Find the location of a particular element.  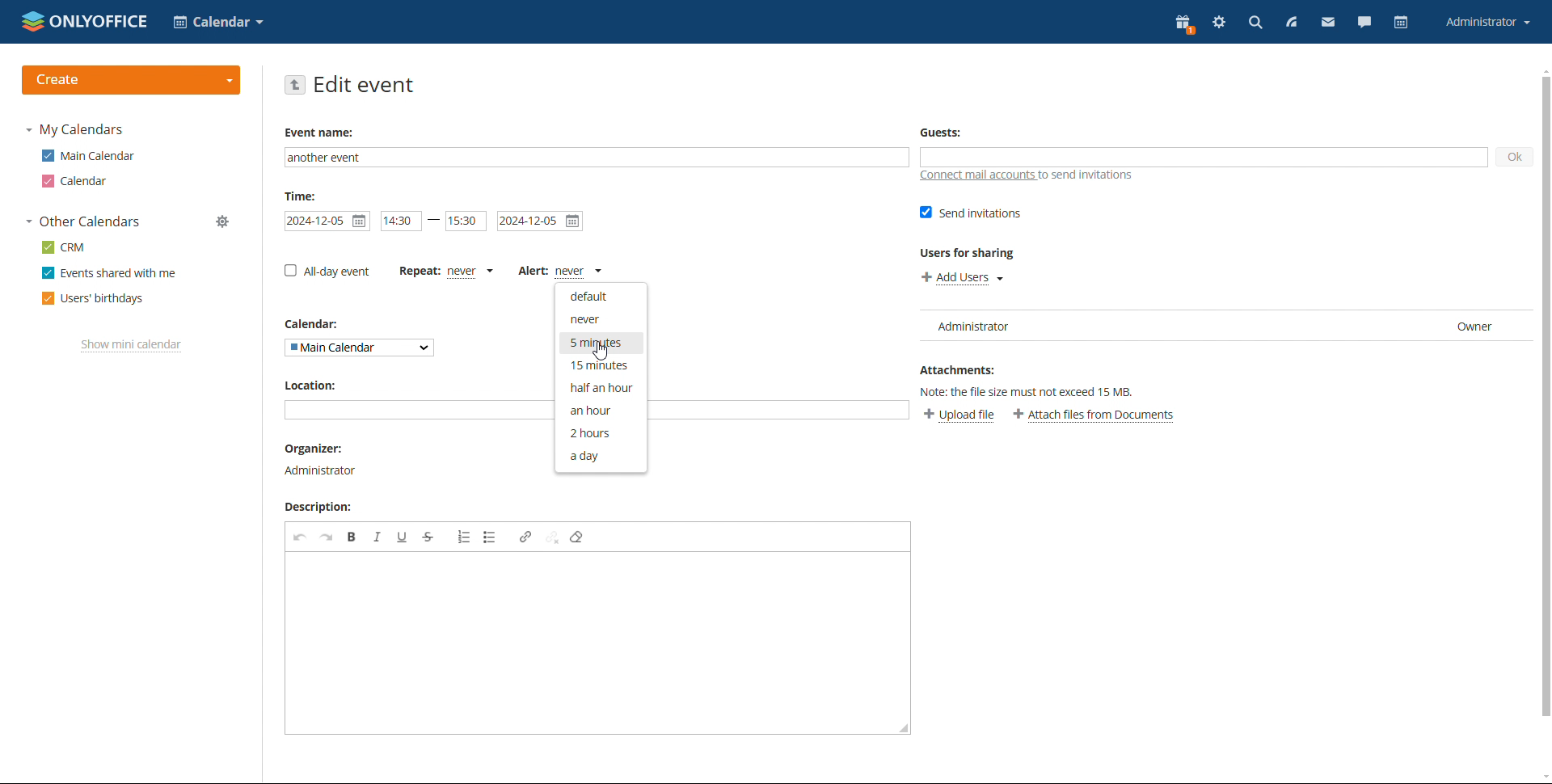

default is located at coordinates (601, 296).